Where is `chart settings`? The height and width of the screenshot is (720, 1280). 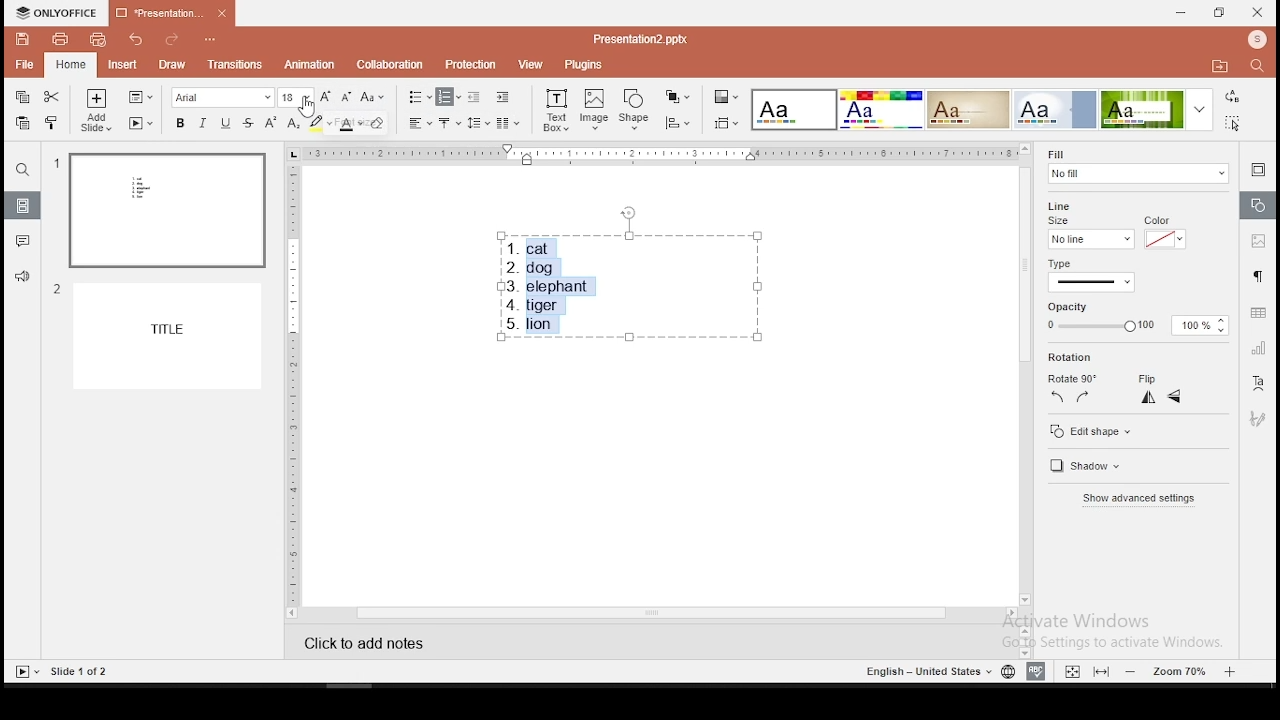
chart settings is located at coordinates (1257, 349).